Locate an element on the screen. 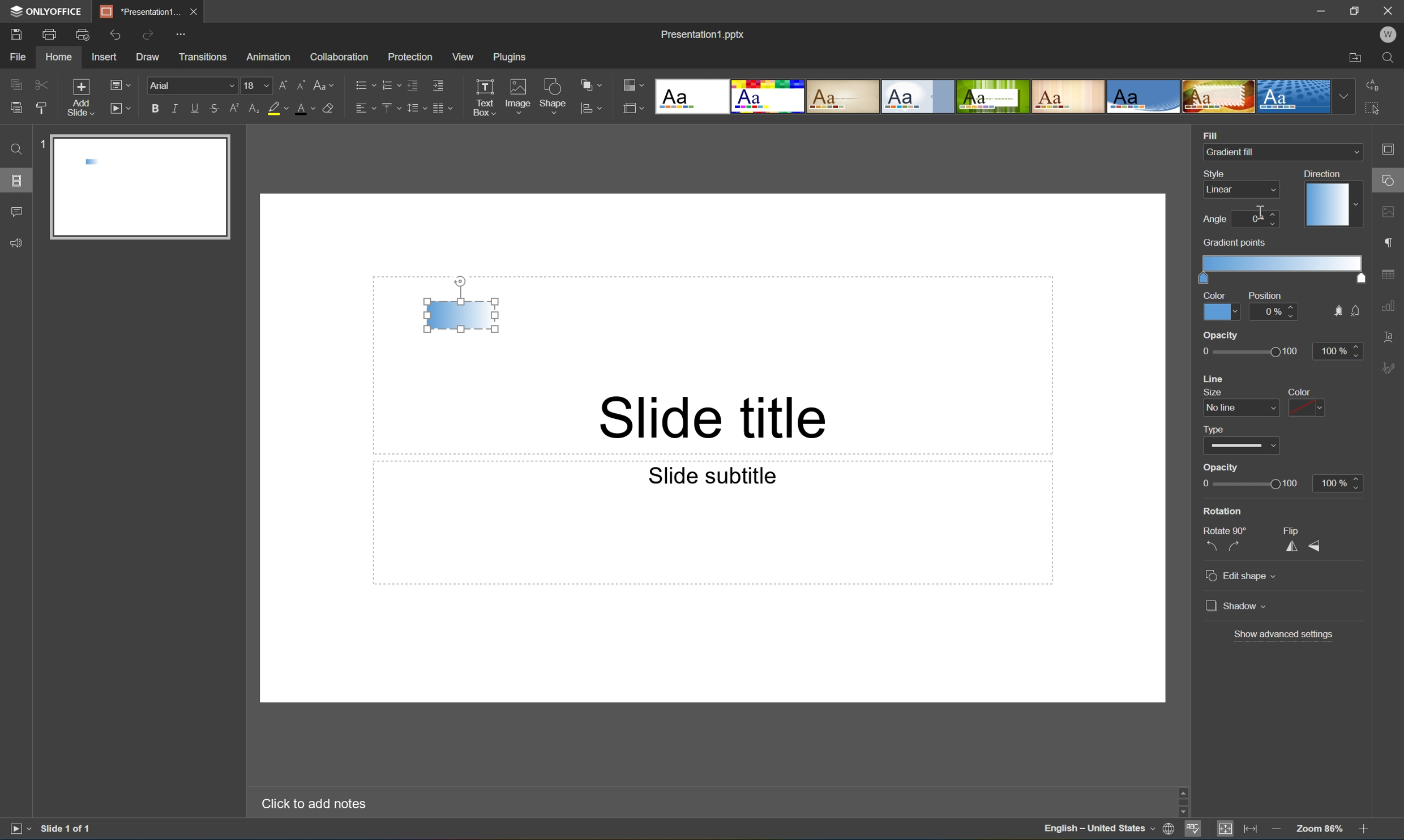 The width and height of the screenshot is (1404, 840). Protection is located at coordinates (409, 56).